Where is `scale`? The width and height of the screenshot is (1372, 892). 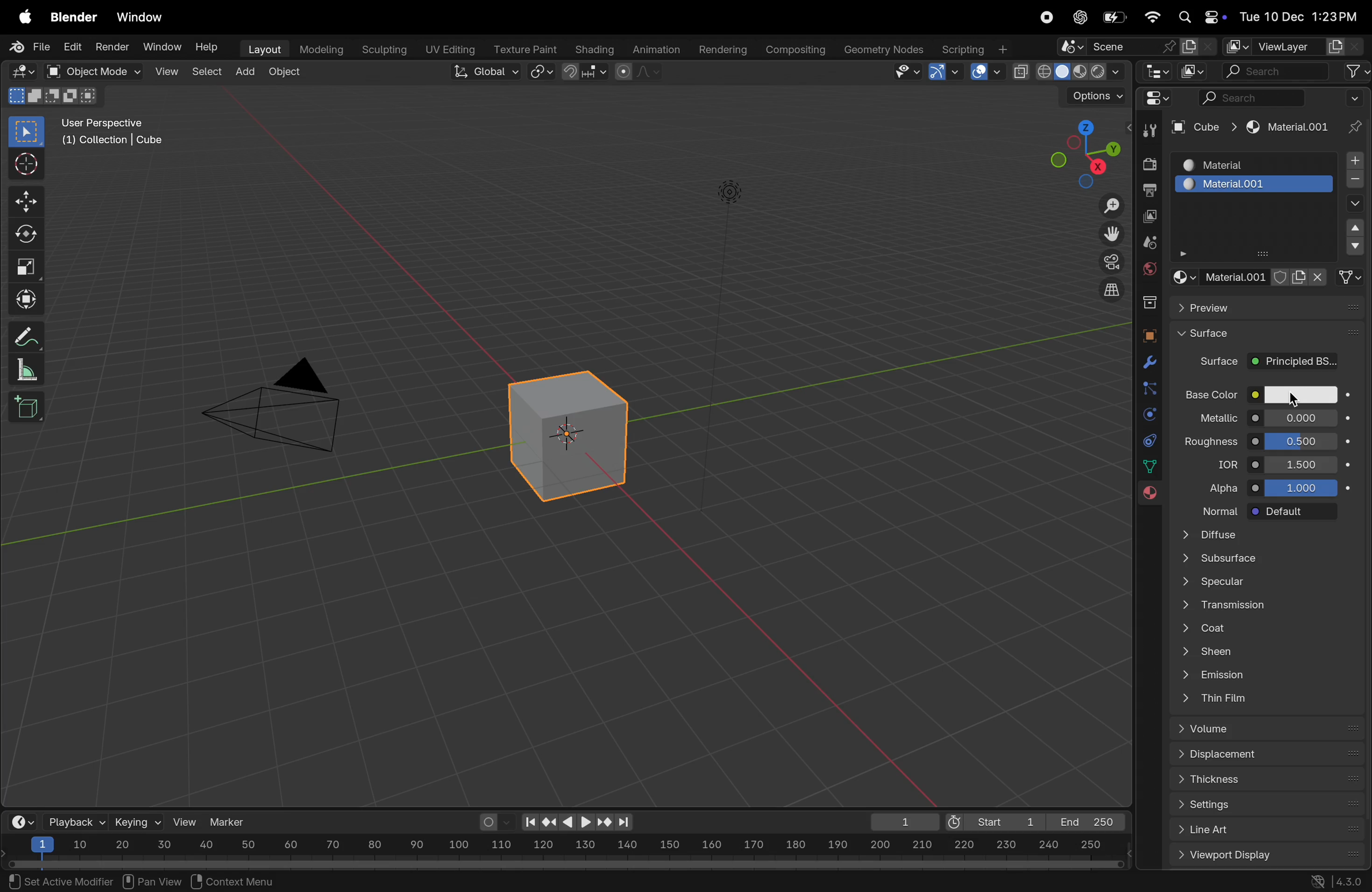 scale is located at coordinates (24, 263).